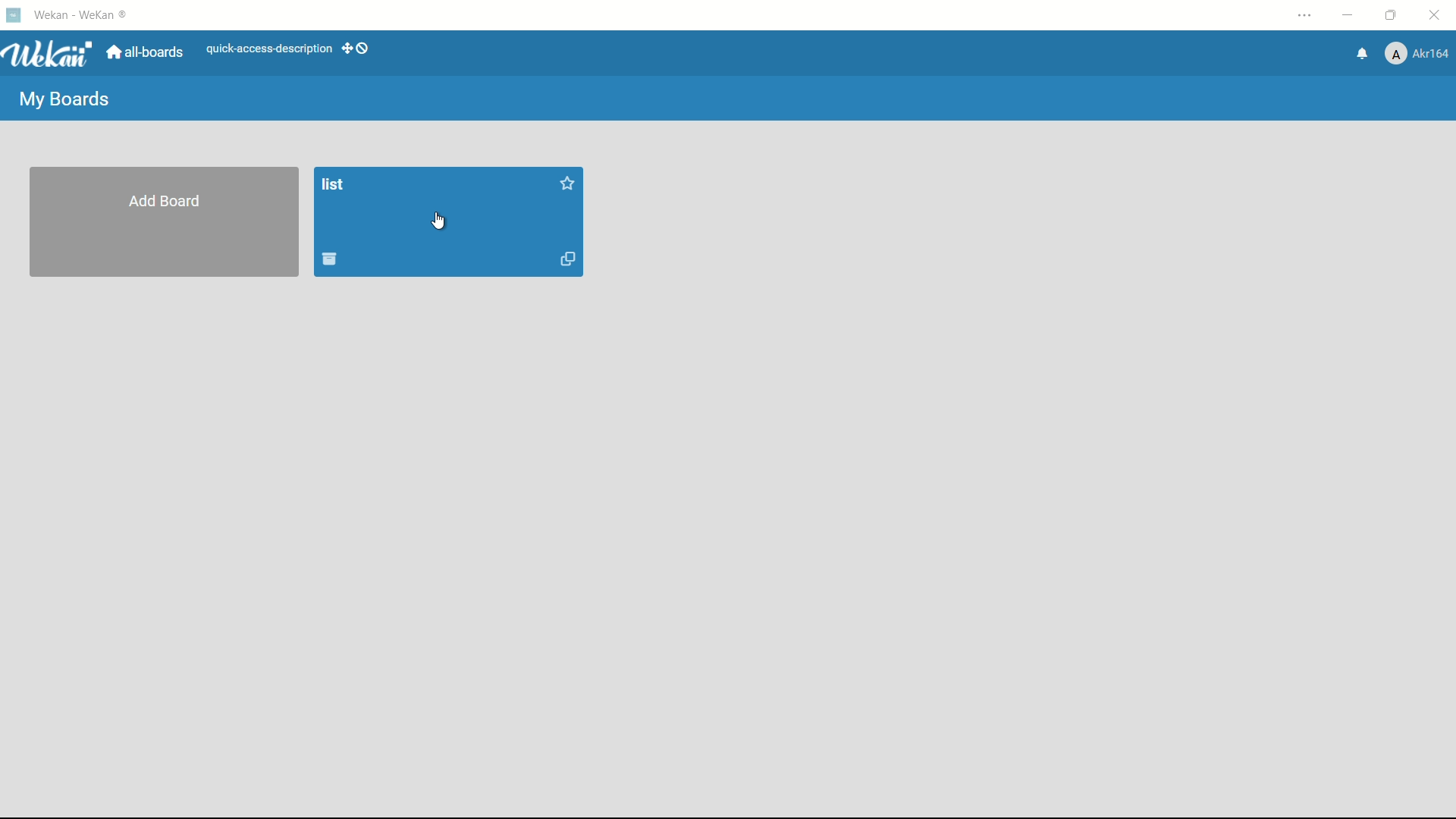 This screenshot has width=1456, height=819. What do you see at coordinates (15, 15) in the screenshot?
I see `app icon` at bounding box center [15, 15].